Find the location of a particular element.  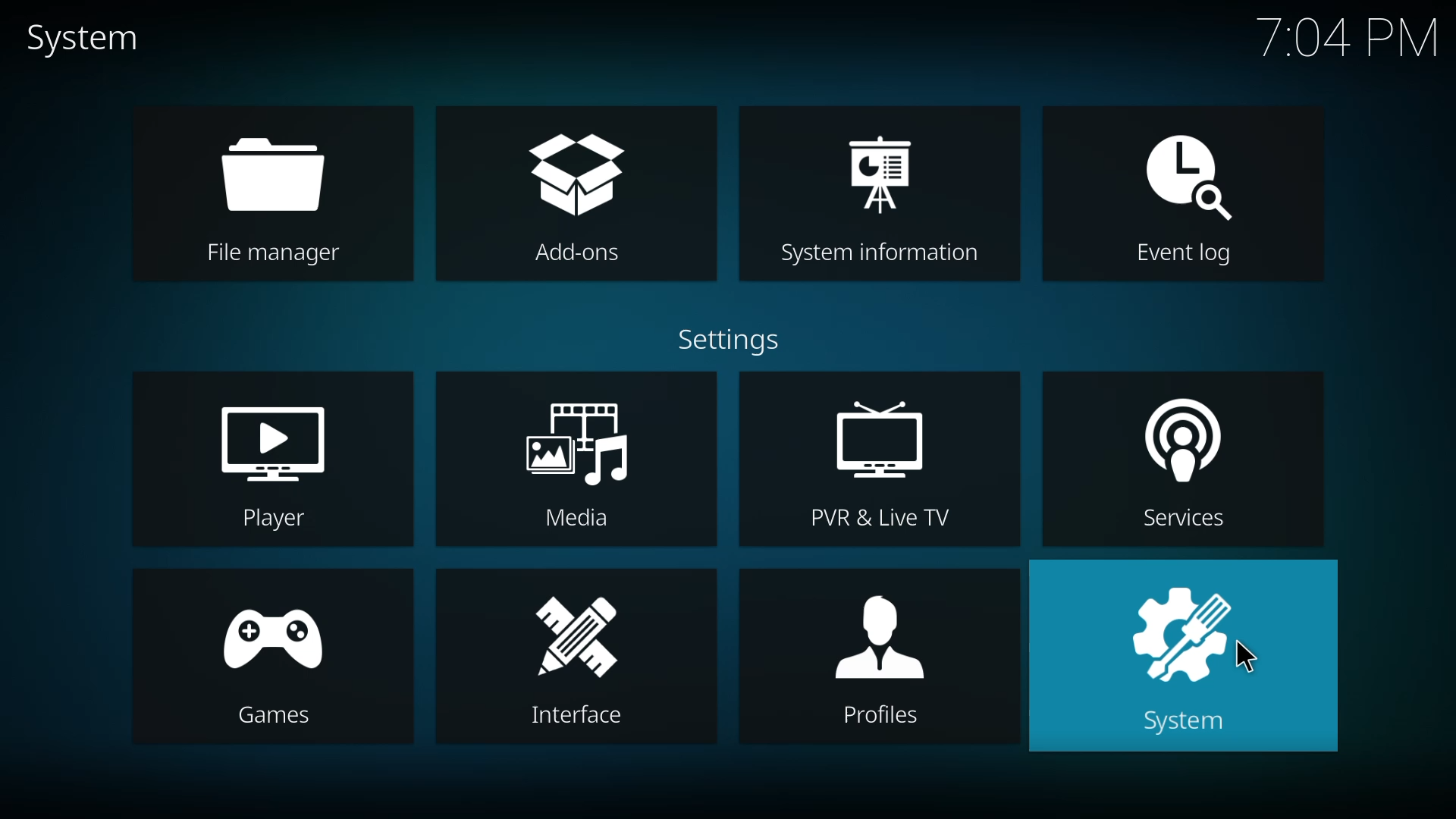

services is located at coordinates (1161, 462).